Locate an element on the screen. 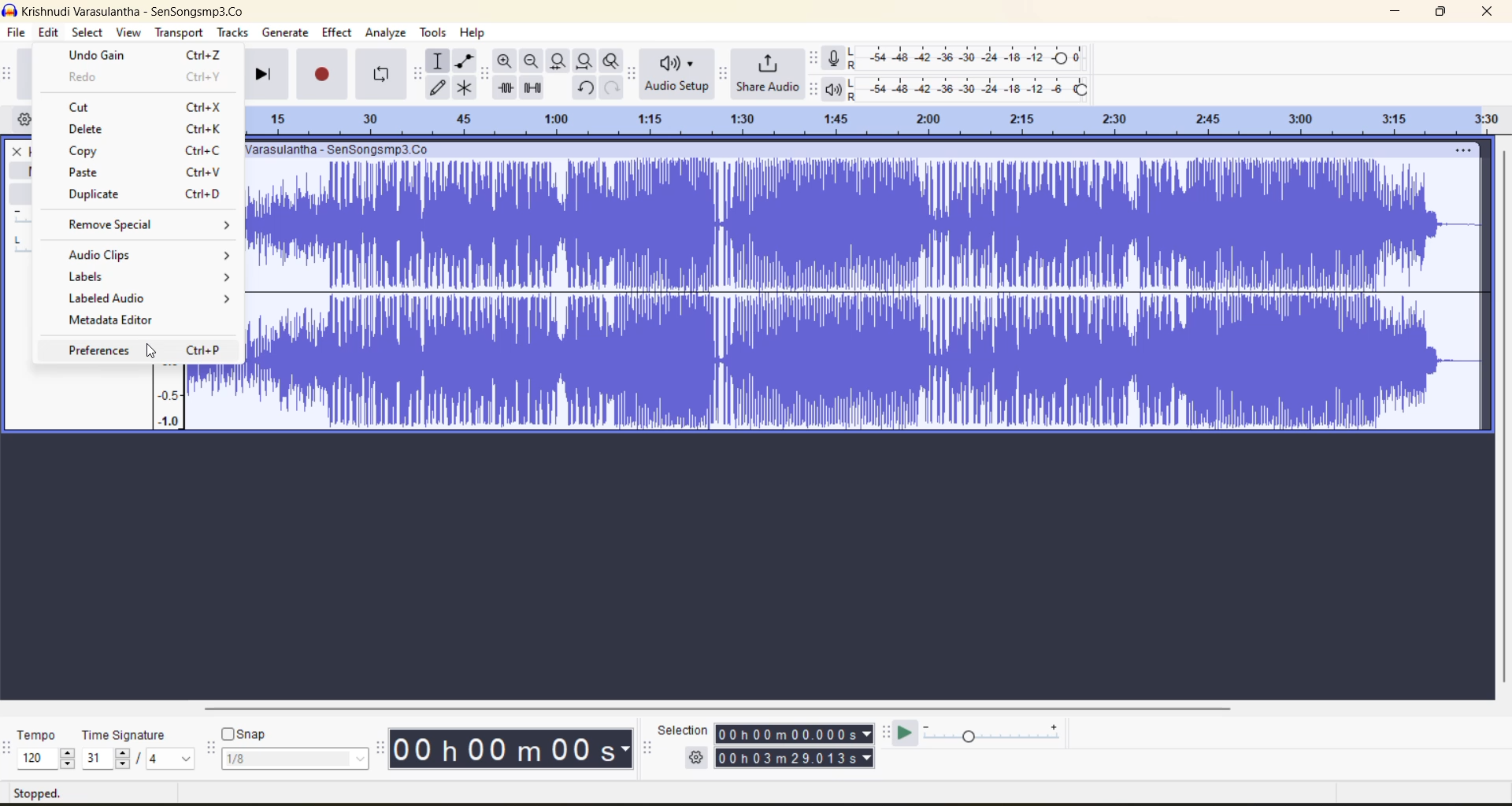 This screenshot has height=806, width=1512. selection tool is located at coordinates (438, 60).